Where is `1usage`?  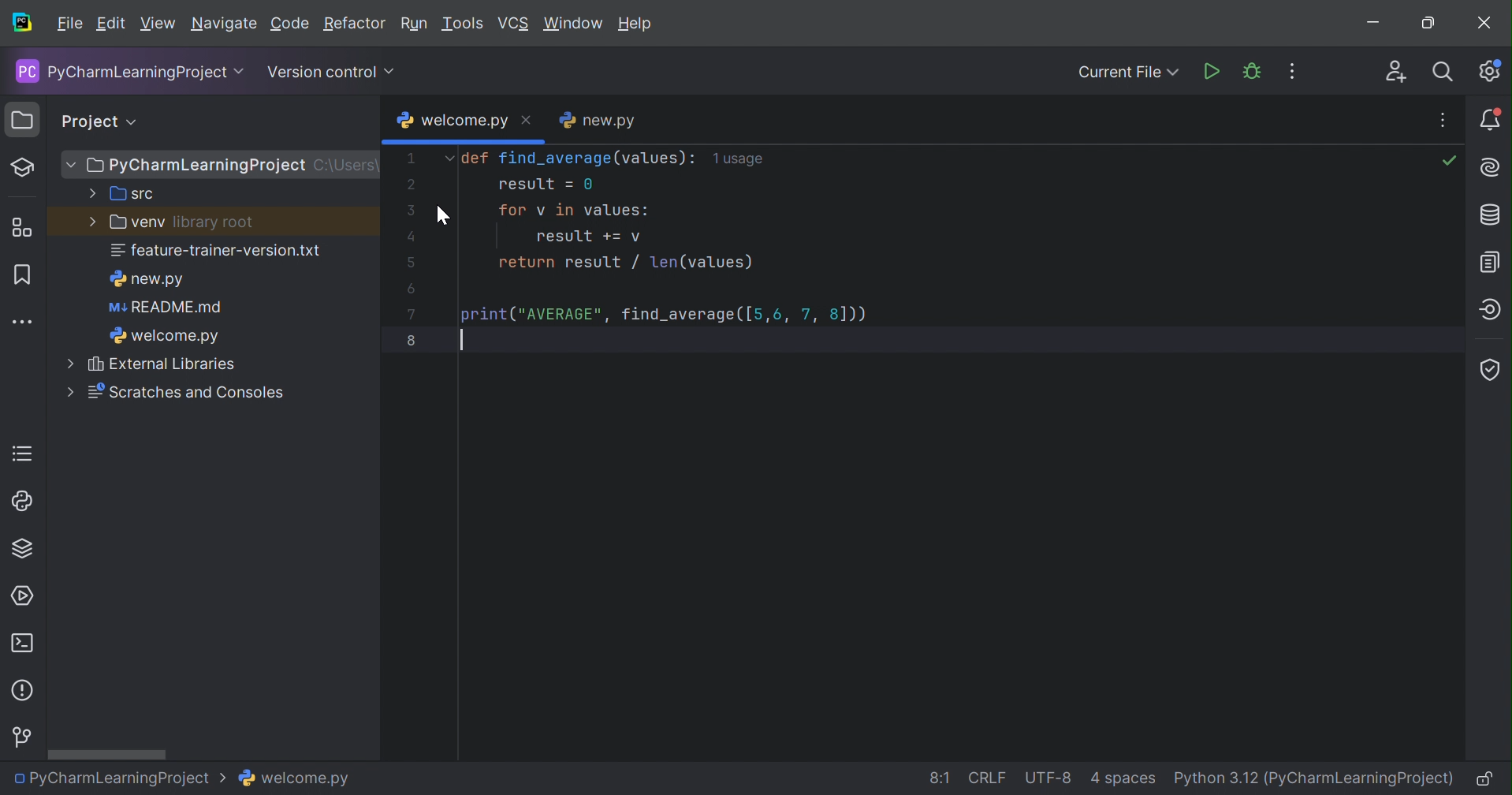 1usage is located at coordinates (742, 160).